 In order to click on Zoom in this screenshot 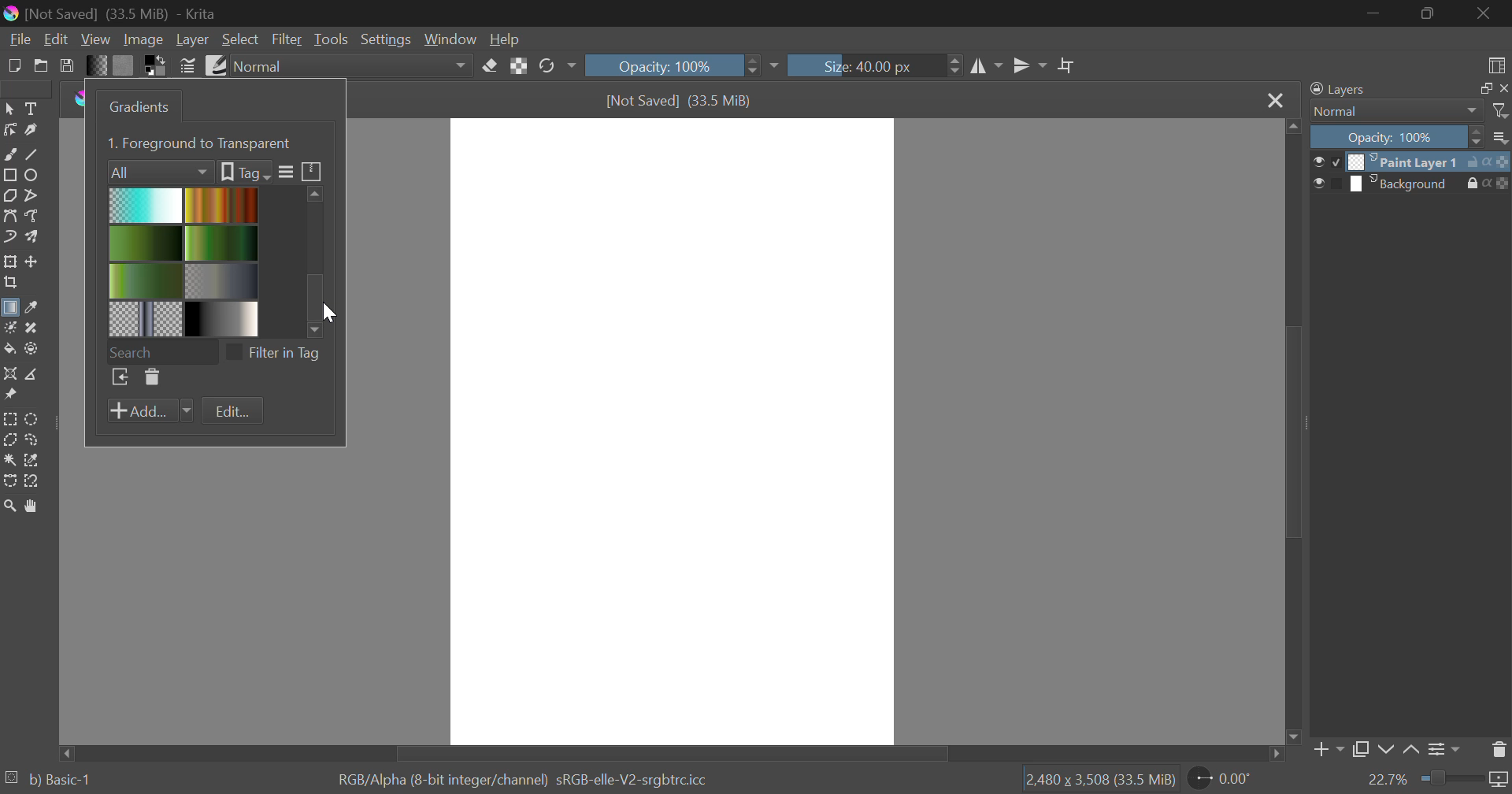, I will do `click(9, 506)`.